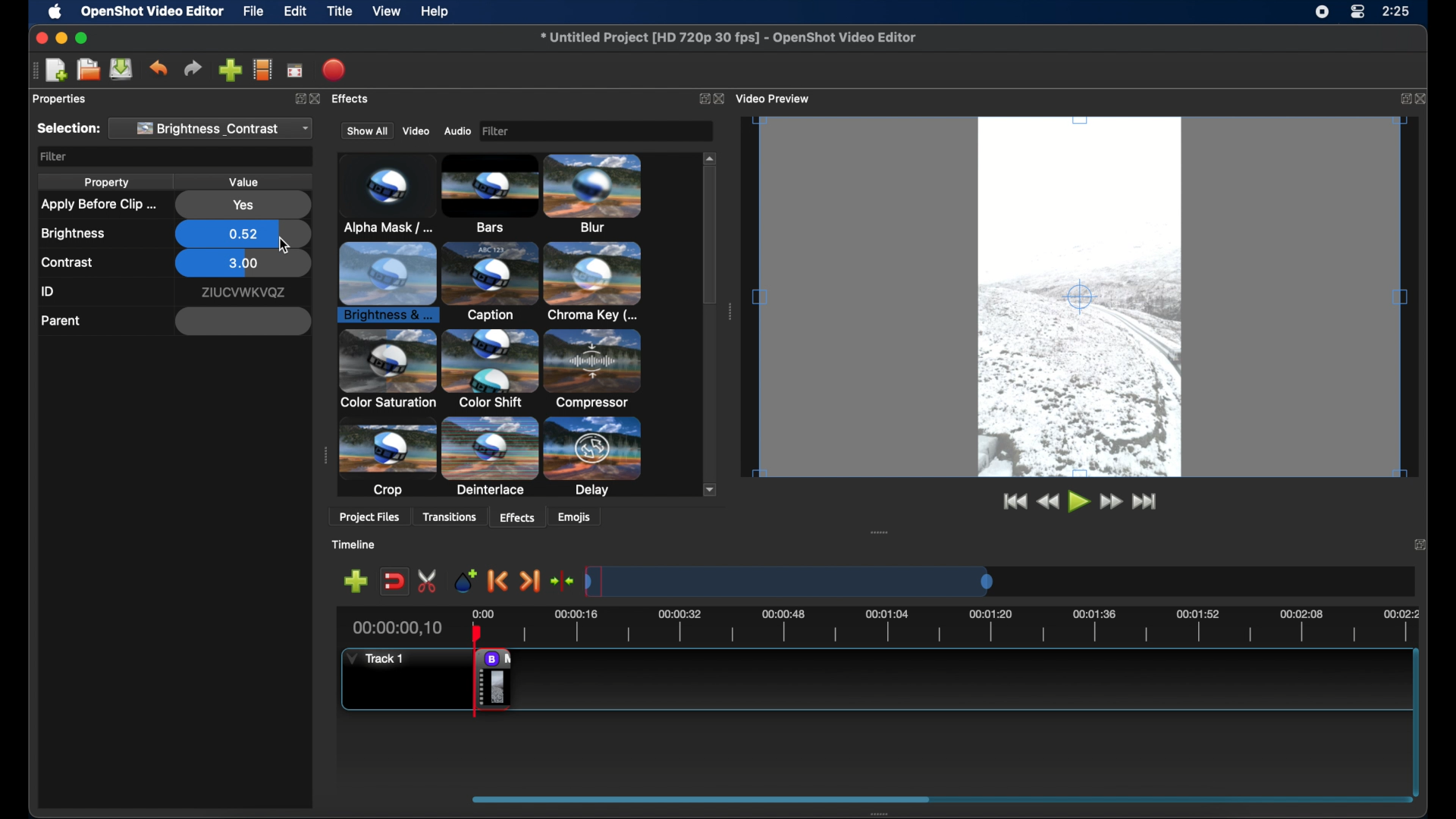 Image resolution: width=1456 pixels, height=819 pixels. Describe the element at coordinates (597, 456) in the screenshot. I see `hue` at that location.